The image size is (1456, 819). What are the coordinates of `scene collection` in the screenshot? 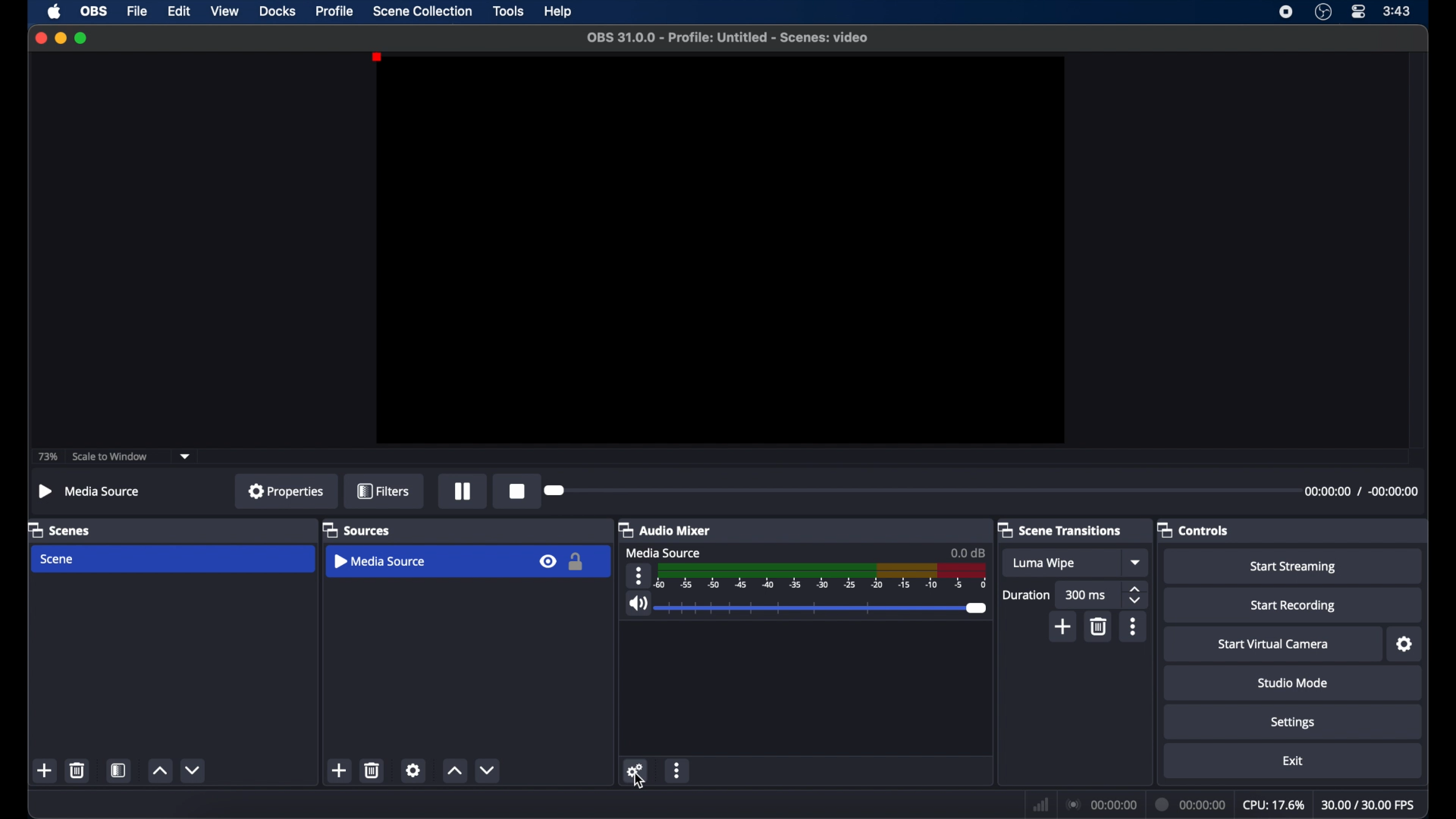 It's located at (422, 11).